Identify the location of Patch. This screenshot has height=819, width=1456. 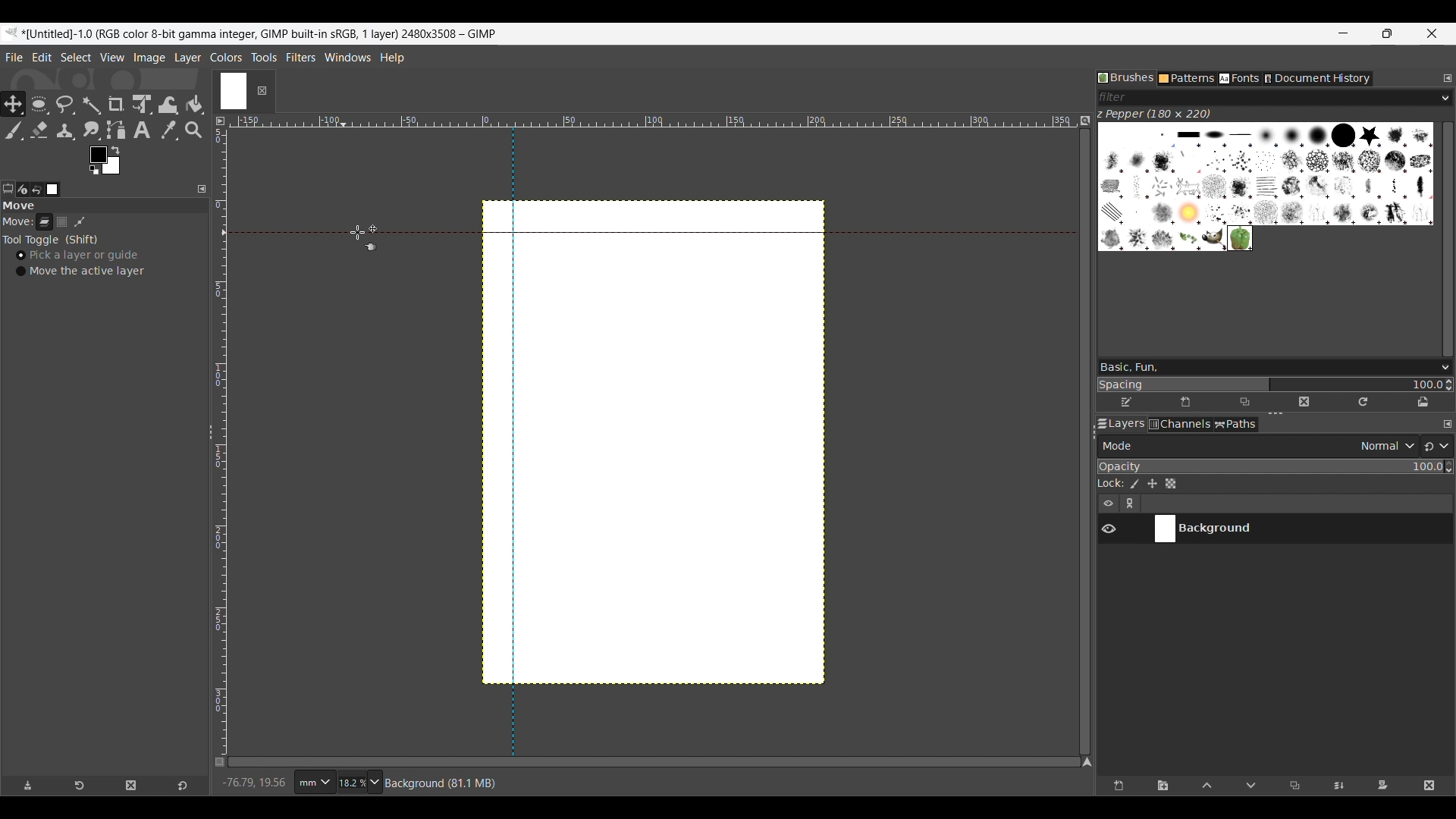
(85, 222).